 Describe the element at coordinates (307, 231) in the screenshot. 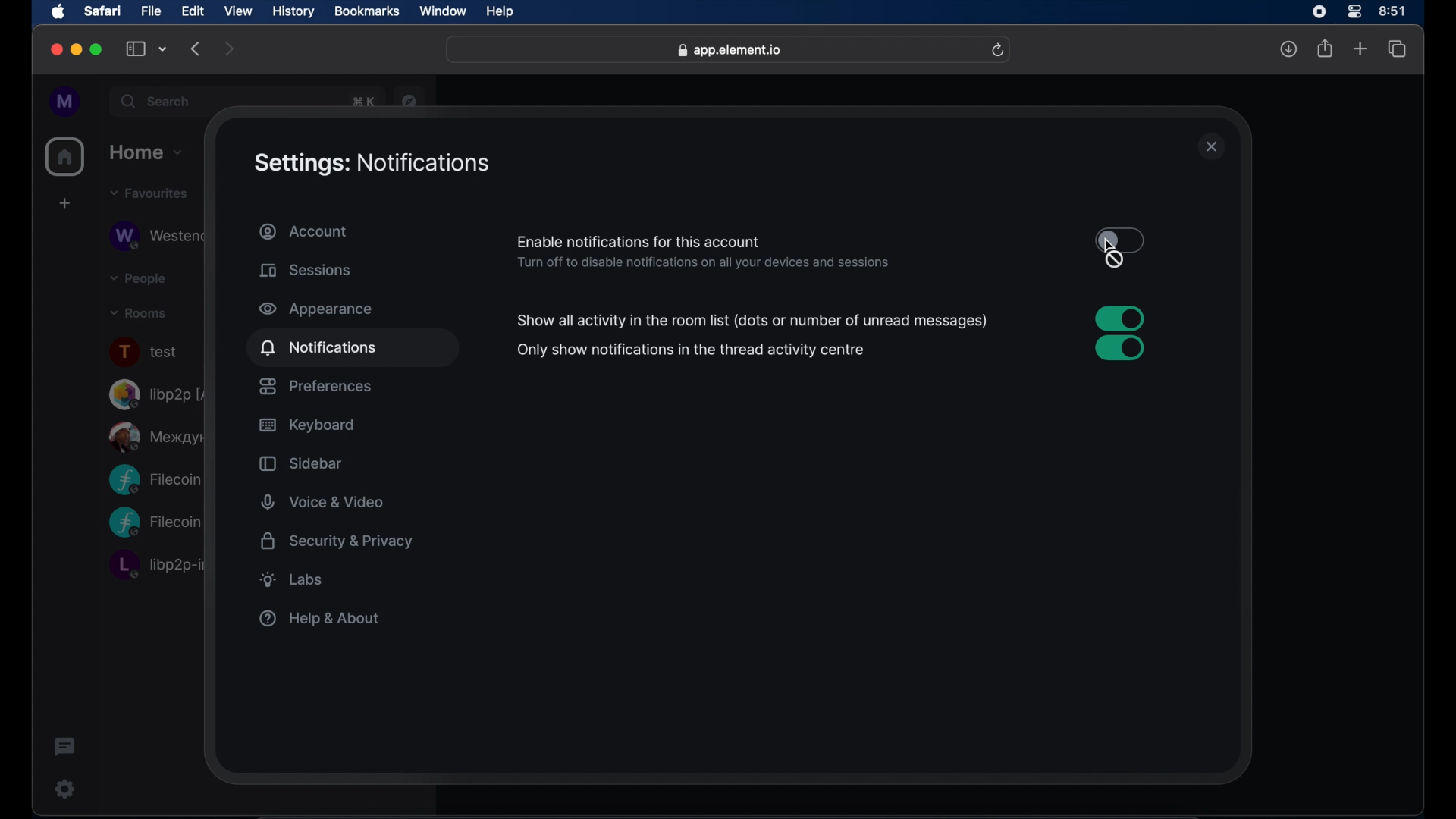

I see `account` at that location.